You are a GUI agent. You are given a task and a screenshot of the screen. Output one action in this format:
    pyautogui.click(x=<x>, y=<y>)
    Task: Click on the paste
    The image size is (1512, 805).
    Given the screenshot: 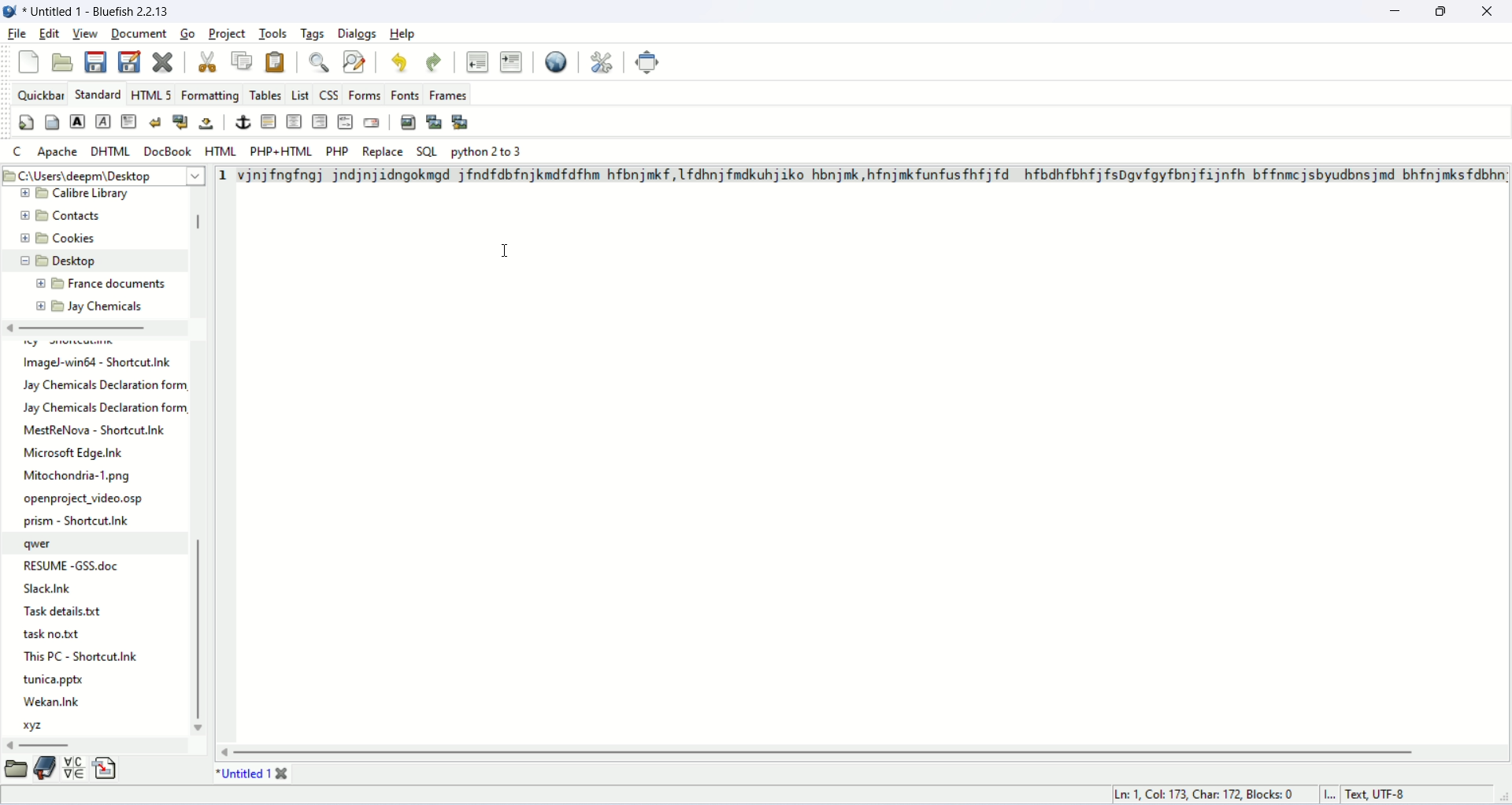 What is the action you would take?
    pyautogui.click(x=277, y=61)
    